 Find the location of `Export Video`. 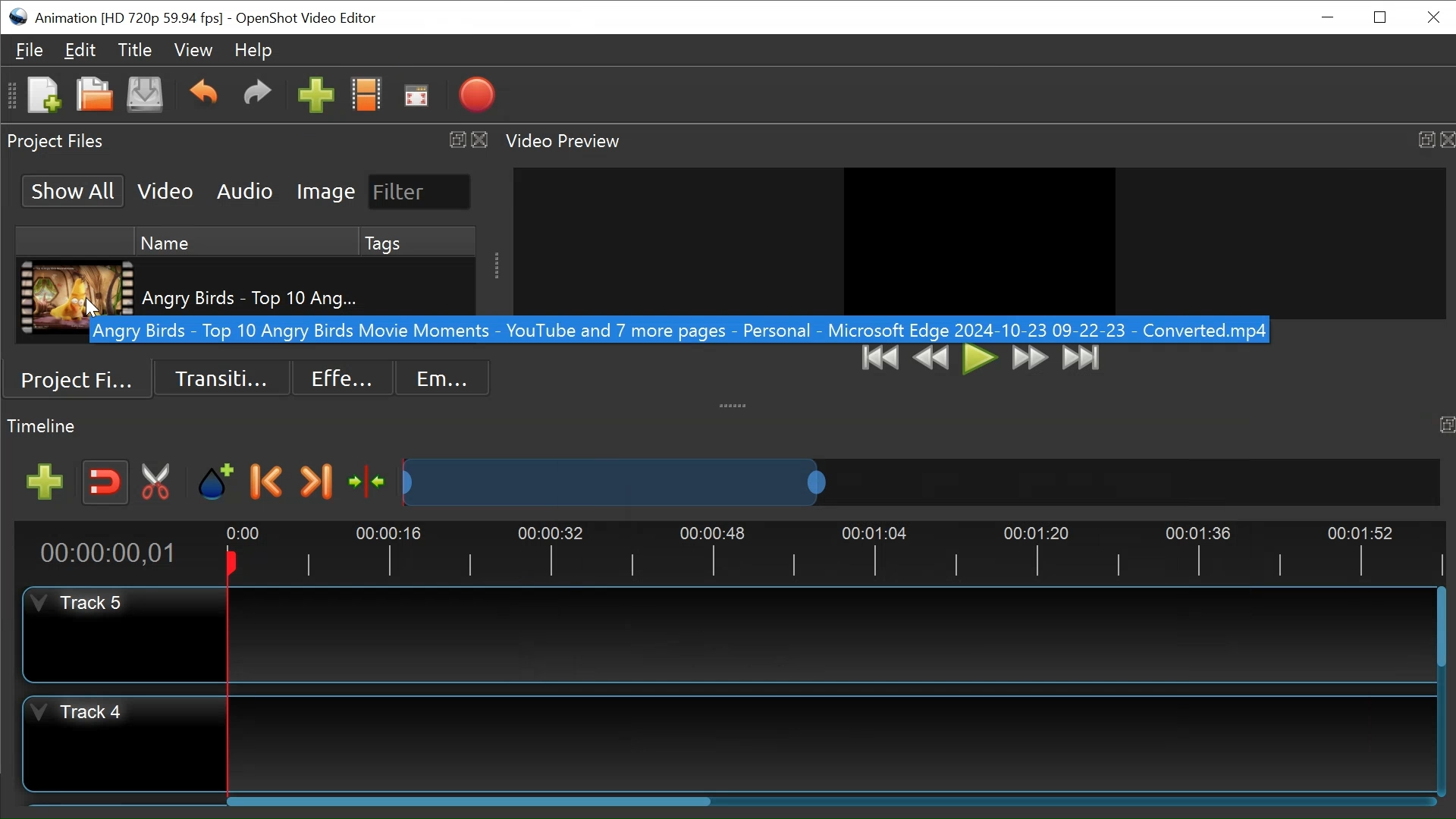

Export Video is located at coordinates (474, 95).